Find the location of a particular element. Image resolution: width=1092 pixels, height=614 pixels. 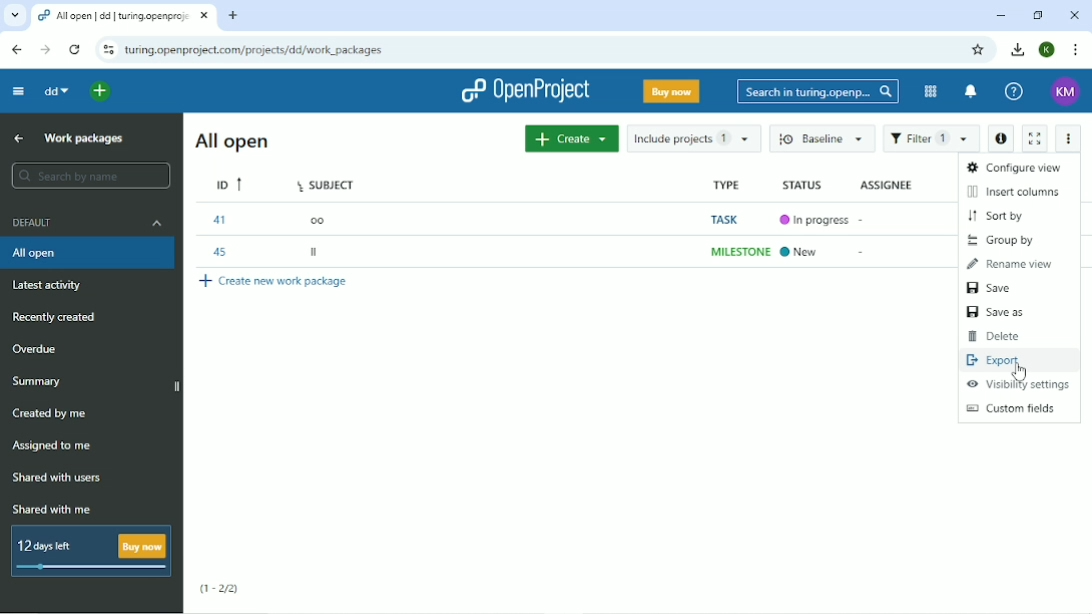

Configure view is located at coordinates (1017, 169).